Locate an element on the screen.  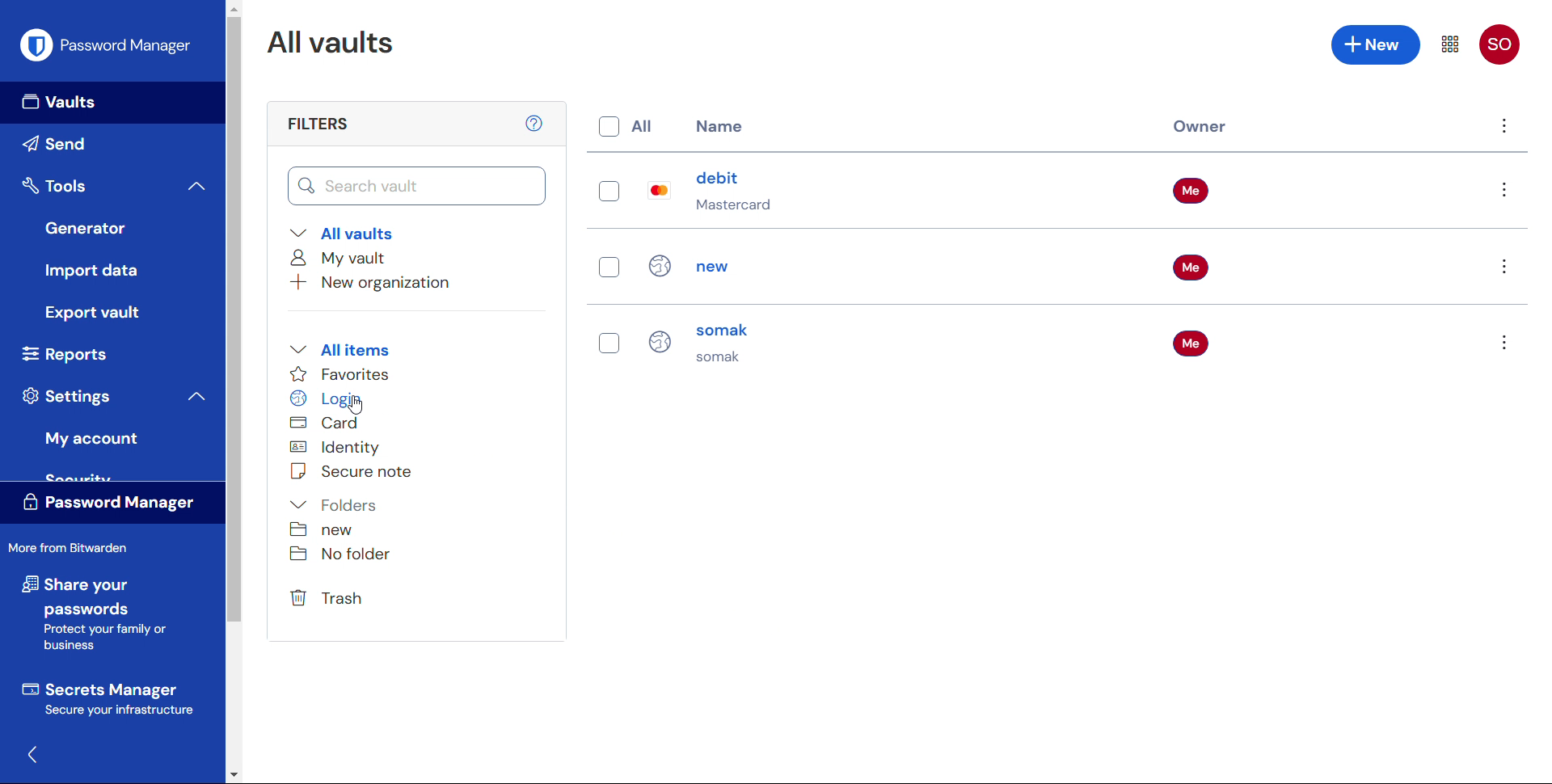
Somak somak is located at coordinates (723, 344).